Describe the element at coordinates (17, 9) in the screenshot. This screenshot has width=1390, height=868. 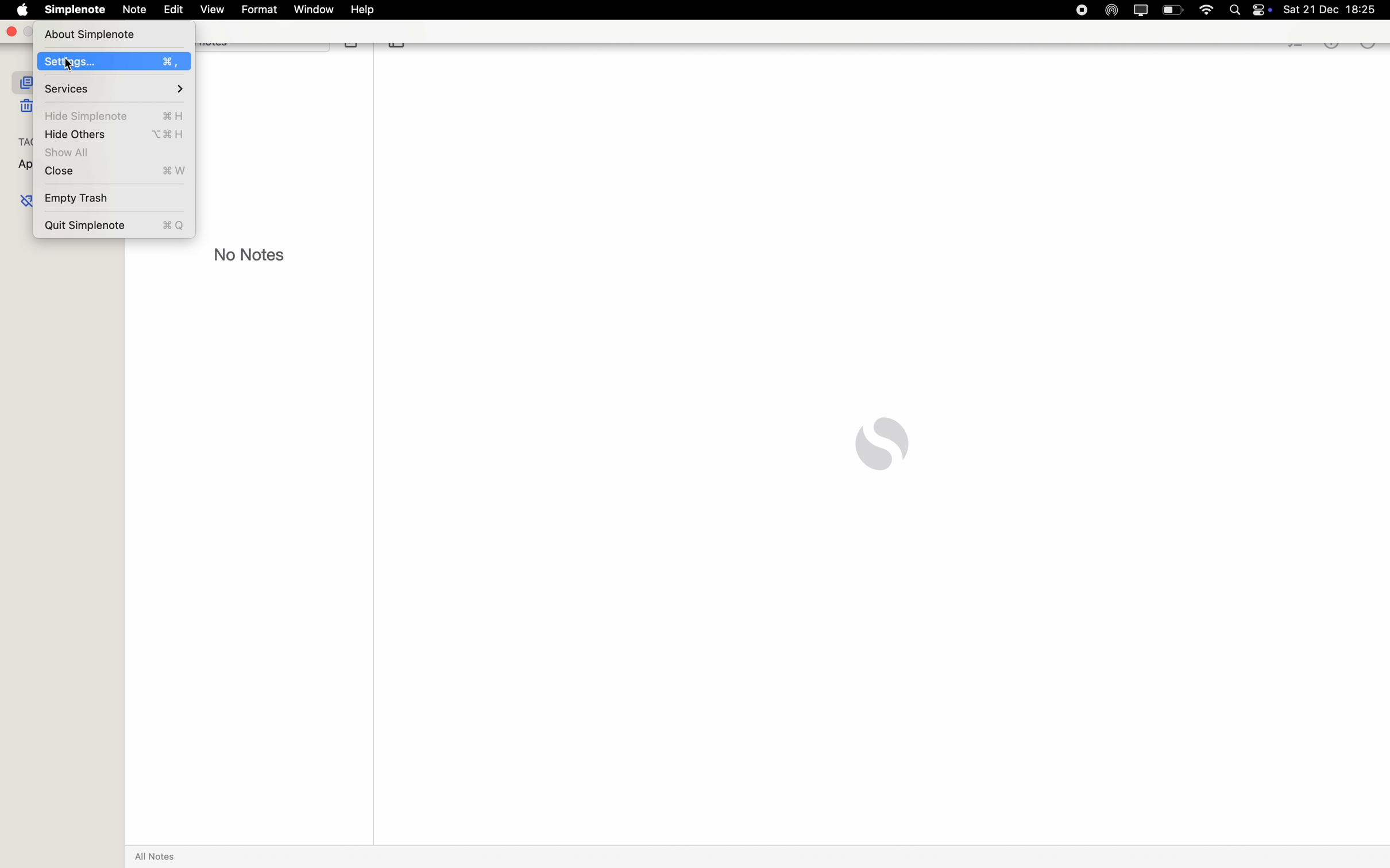
I see `Apple icon` at that location.